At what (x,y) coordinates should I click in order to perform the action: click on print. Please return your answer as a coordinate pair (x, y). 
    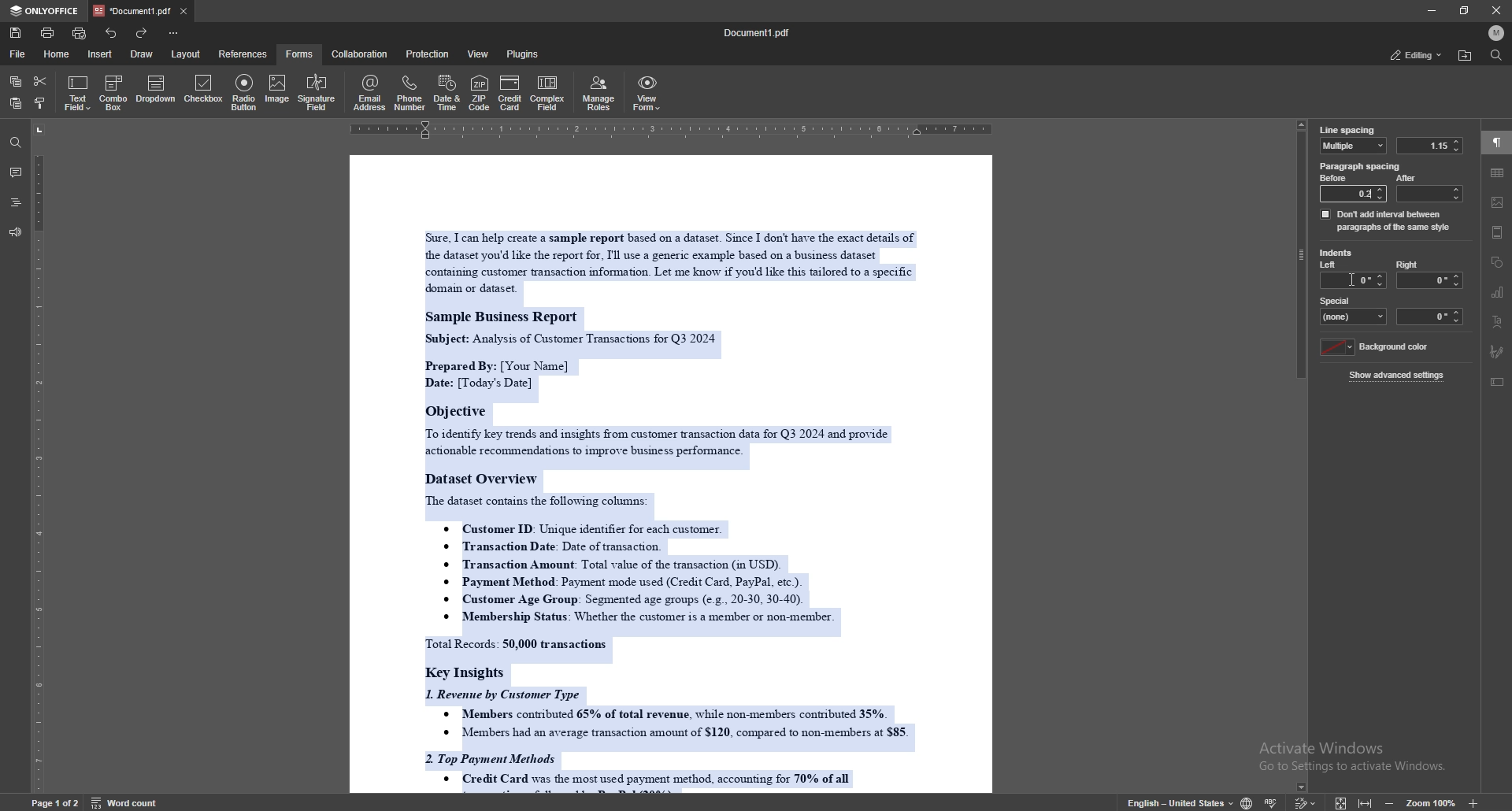
    Looking at the image, I should click on (48, 32).